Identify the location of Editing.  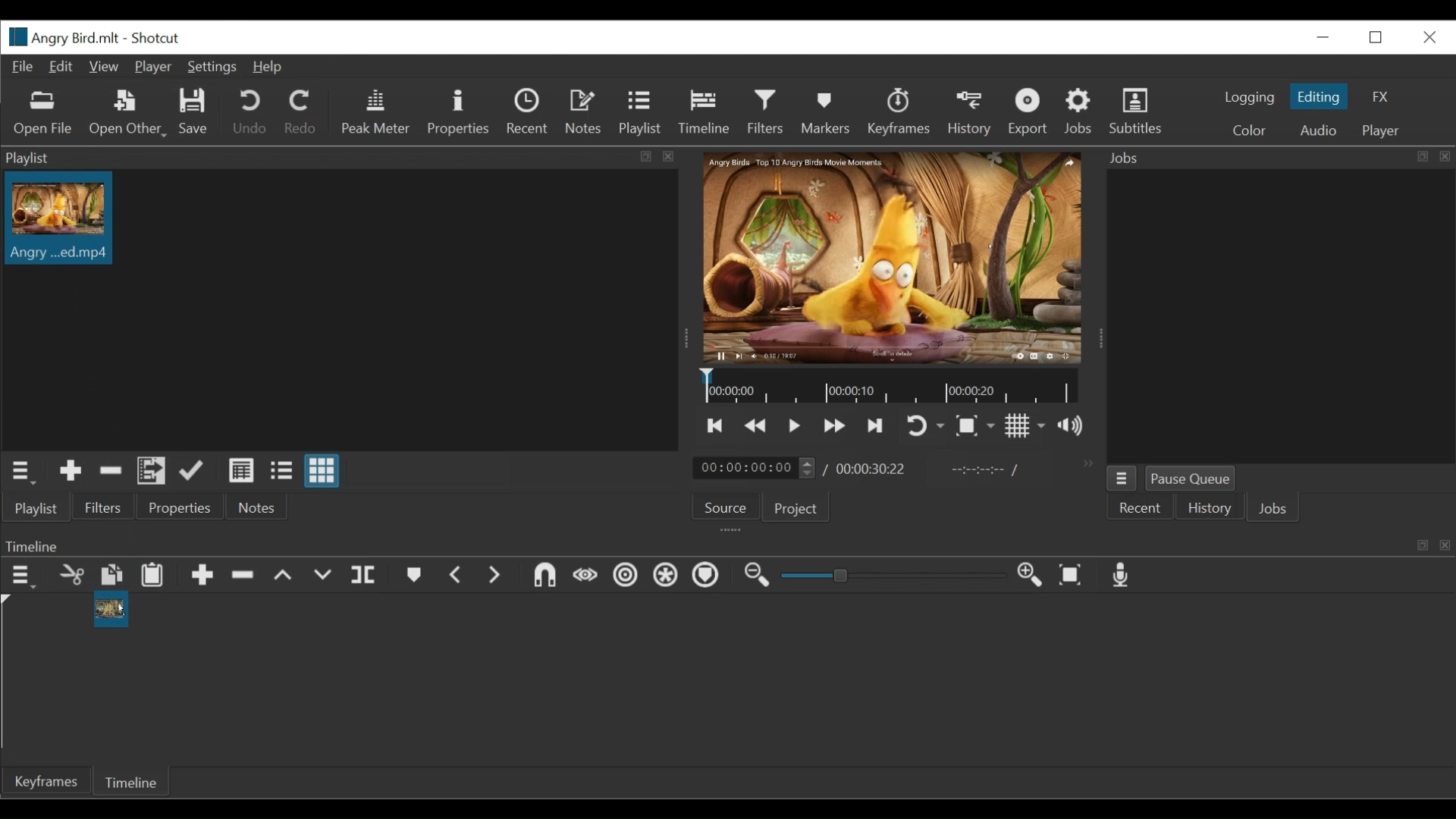
(1320, 97).